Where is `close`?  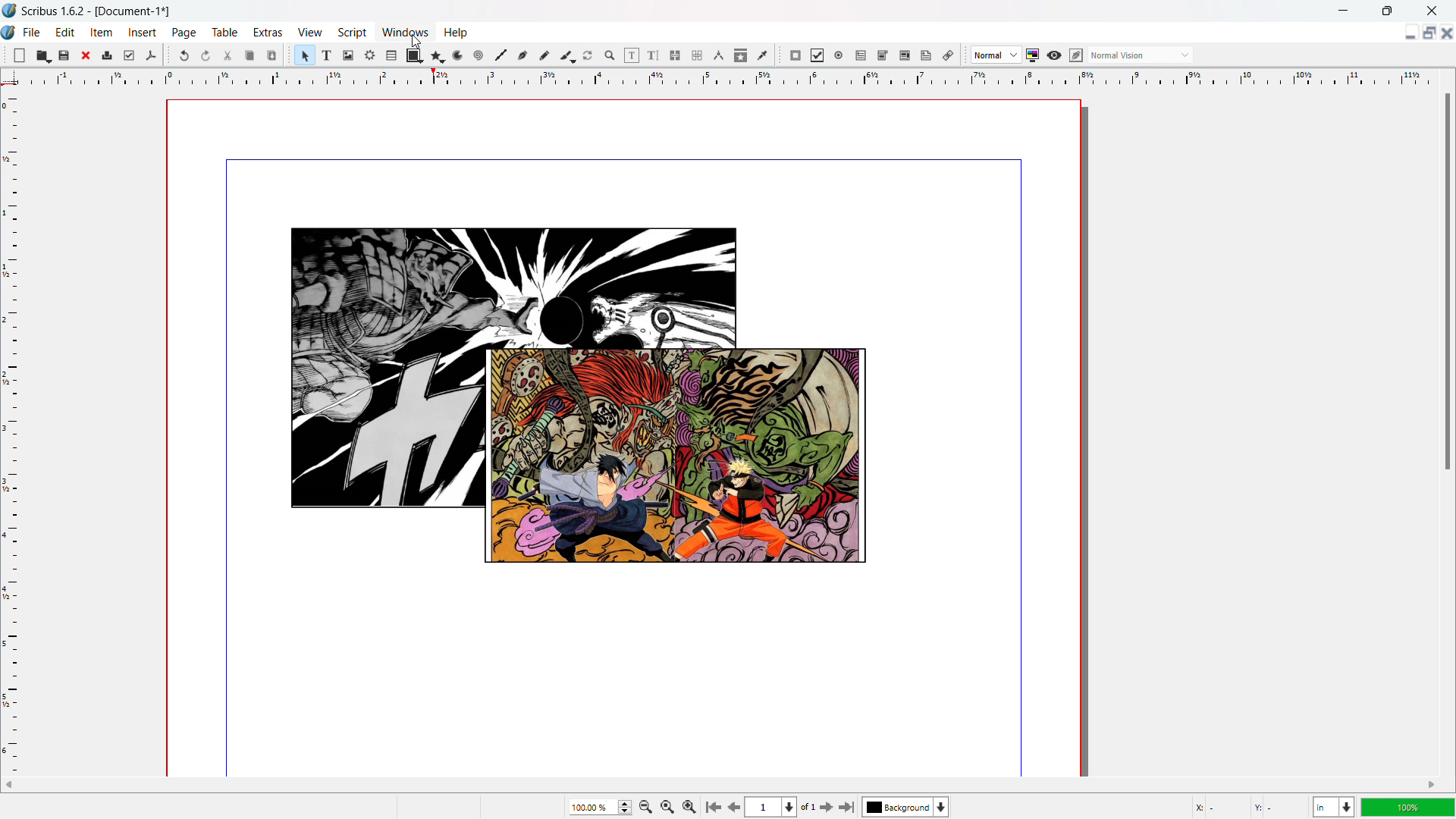
close is located at coordinates (87, 55).